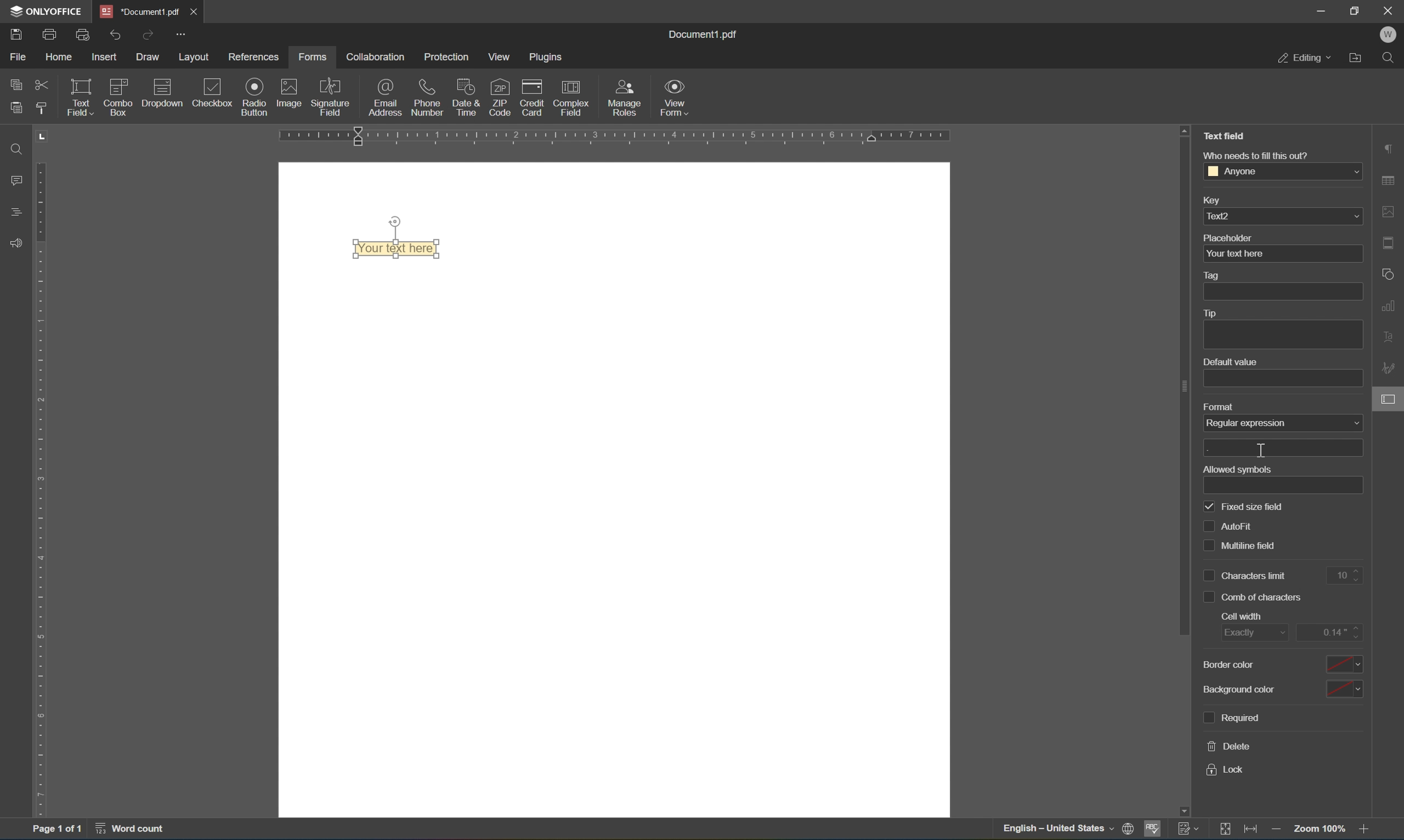 The width and height of the screenshot is (1404, 840). What do you see at coordinates (1227, 770) in the screenshot?
I see `lock` at bounding box center [1227, 770].